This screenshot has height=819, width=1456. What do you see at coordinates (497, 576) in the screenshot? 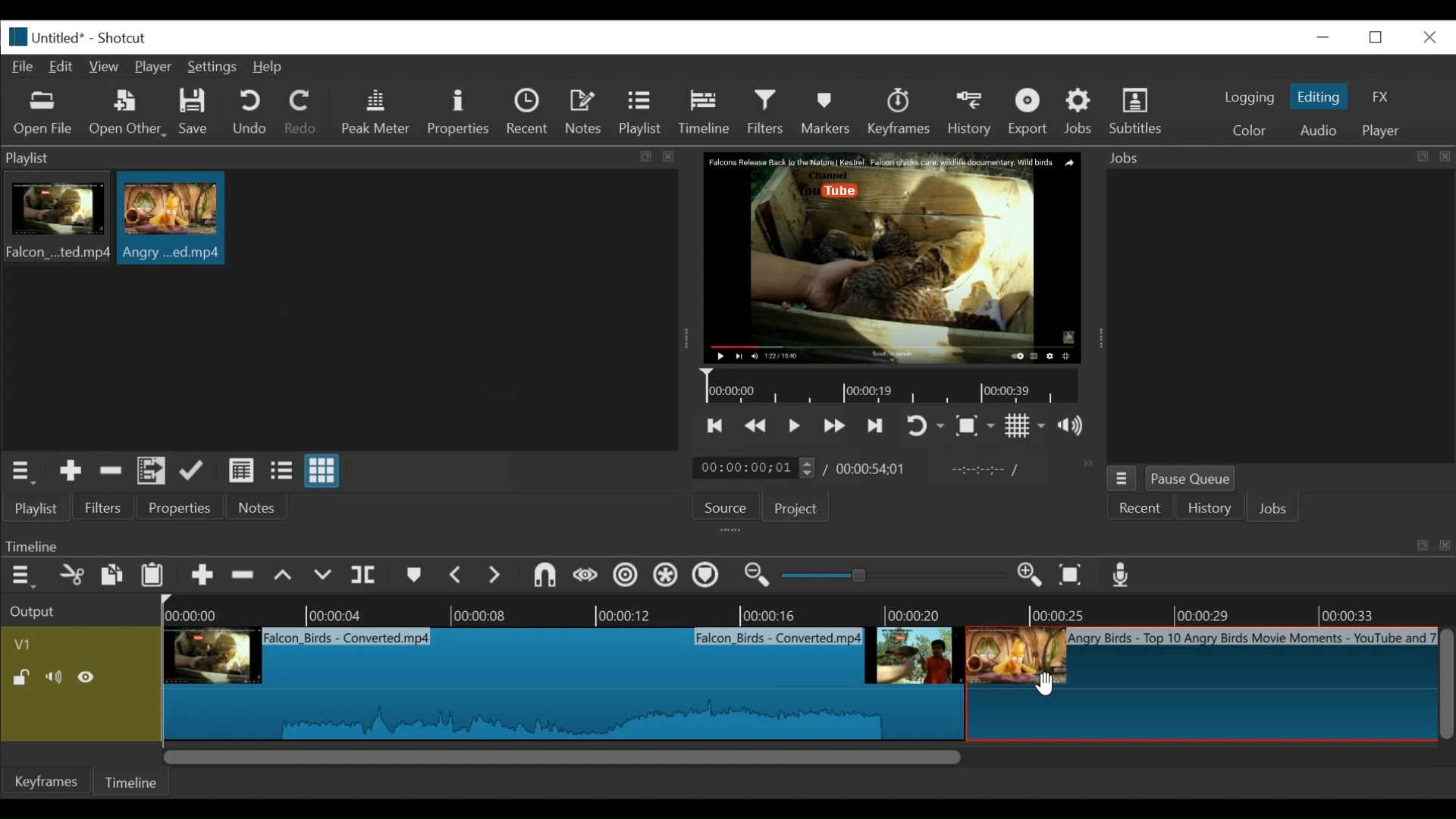
I see `next marker` at bounding box center [497, 576].